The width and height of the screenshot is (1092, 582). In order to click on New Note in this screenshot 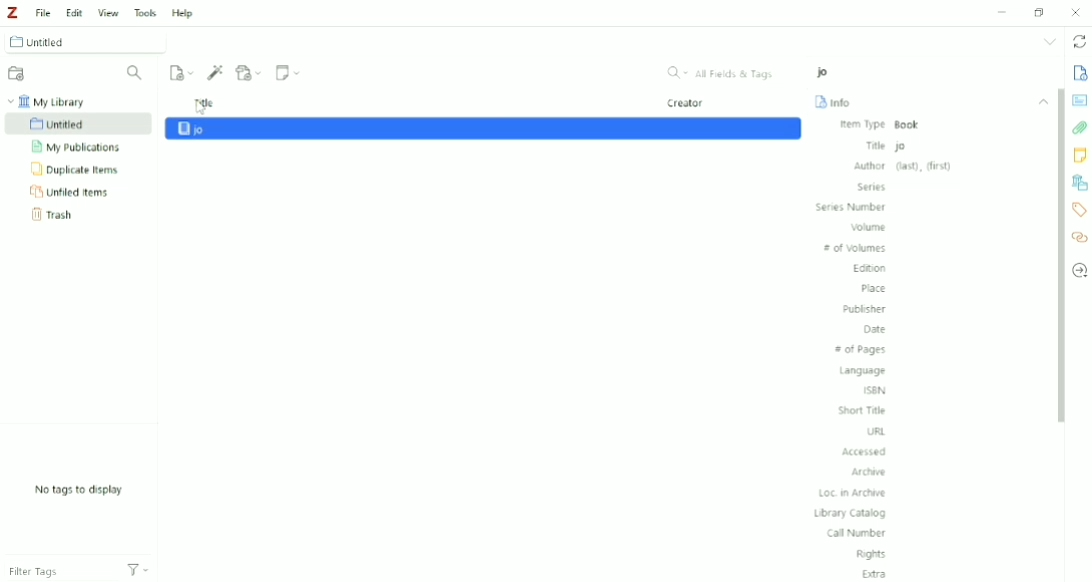, I will do `click(289, 73)`.